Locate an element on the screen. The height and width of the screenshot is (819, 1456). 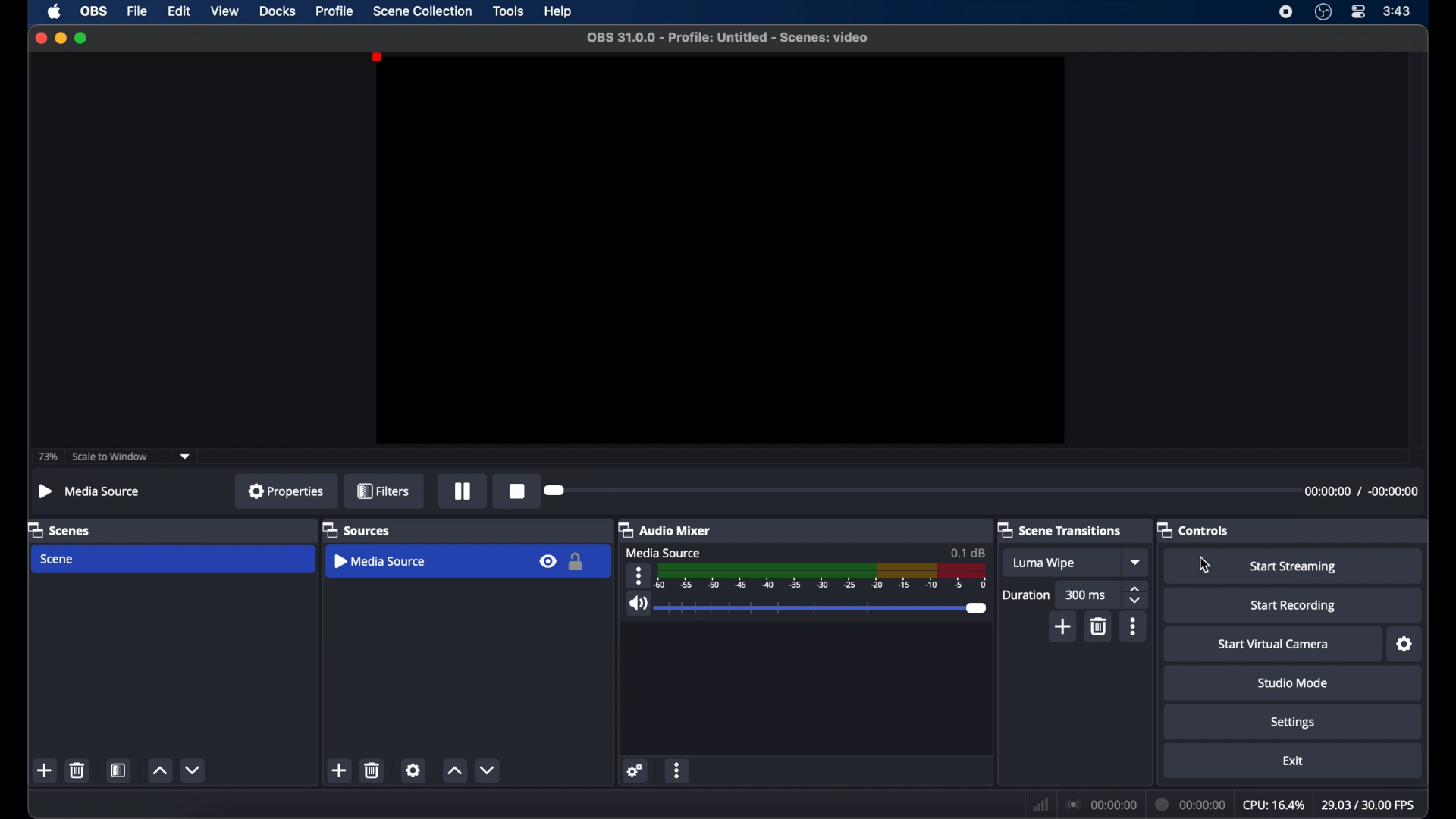
filters is located at coordinates (383, 491).